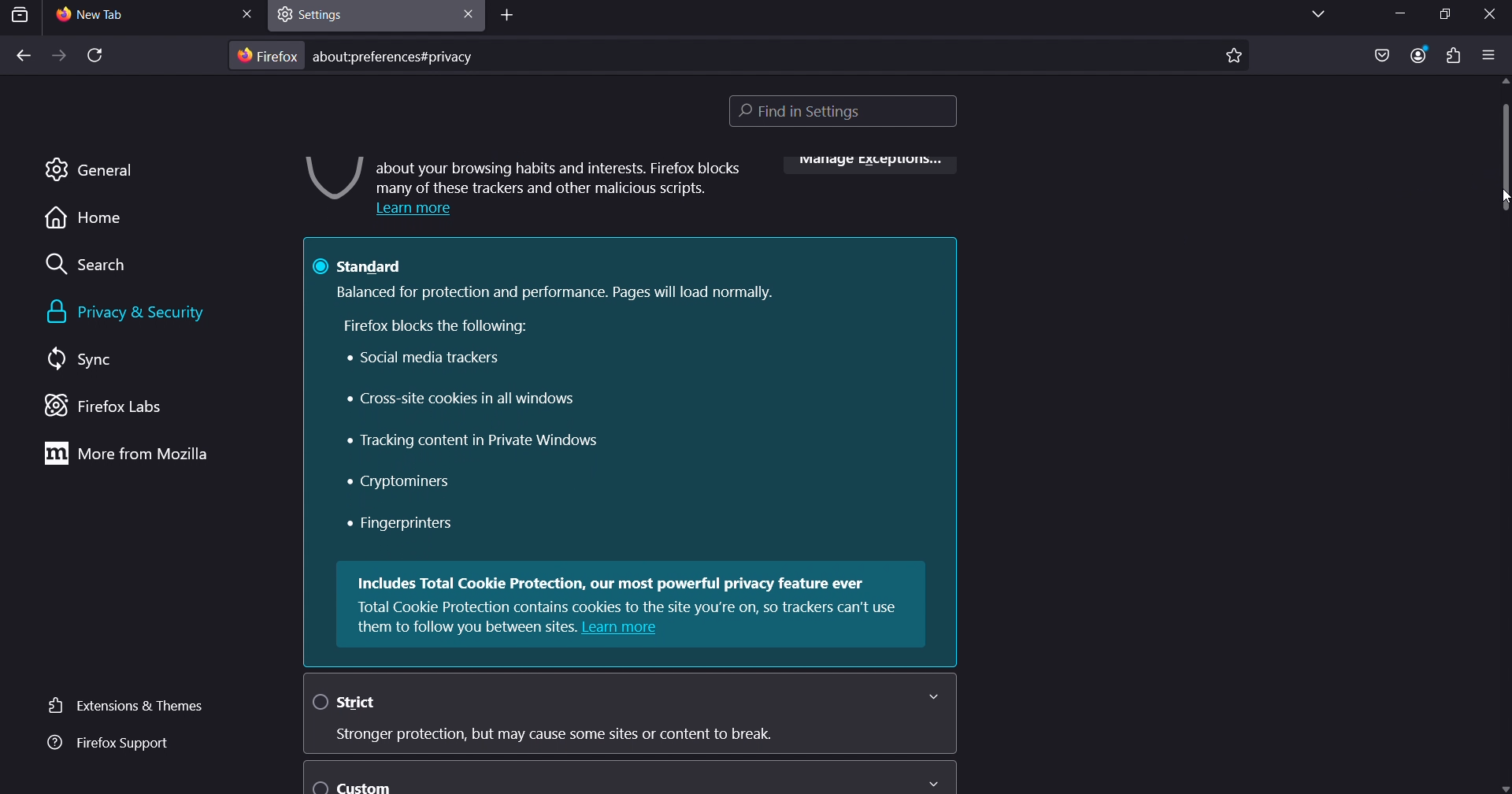  What do you see at coordinates (23, 57) in the screenshot?
I see `back one page` at bounding box center [23, 57].